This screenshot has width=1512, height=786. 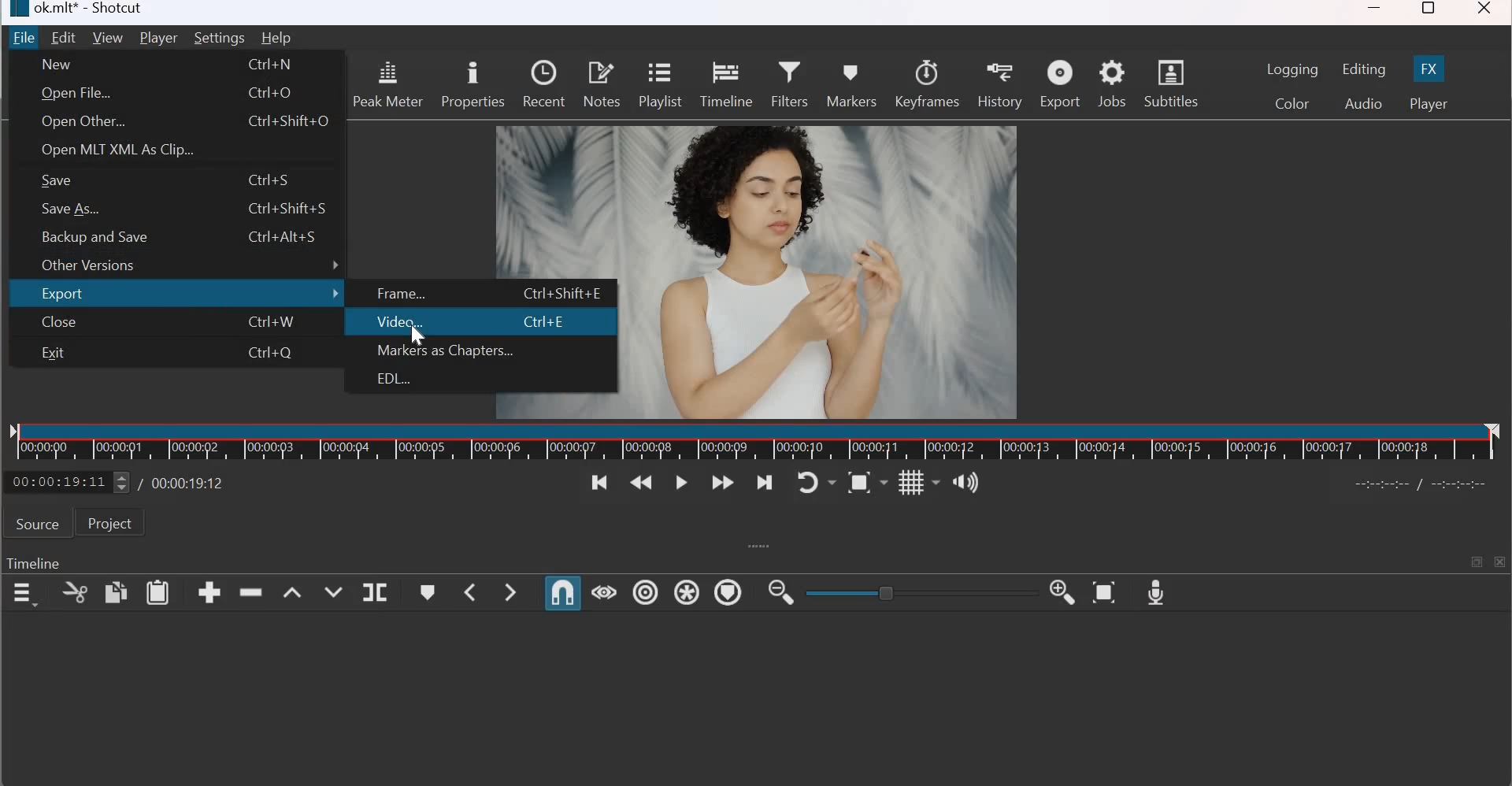 What do you see at coordinates (913, 591) in the screenshot?
I see `toggle` at bounding box center [913, 591].